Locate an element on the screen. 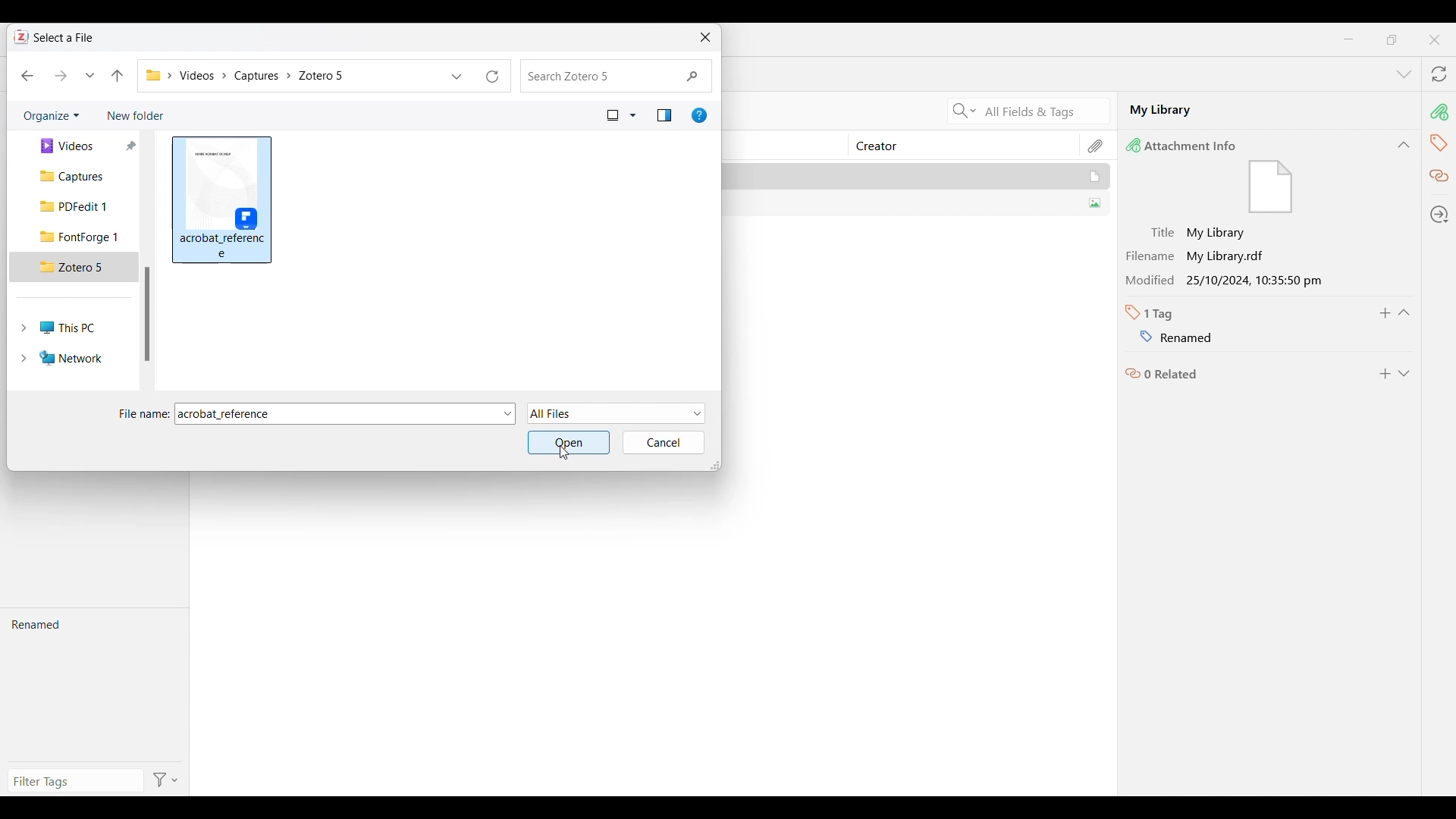  My Library is located at coordinates (1266, 112).